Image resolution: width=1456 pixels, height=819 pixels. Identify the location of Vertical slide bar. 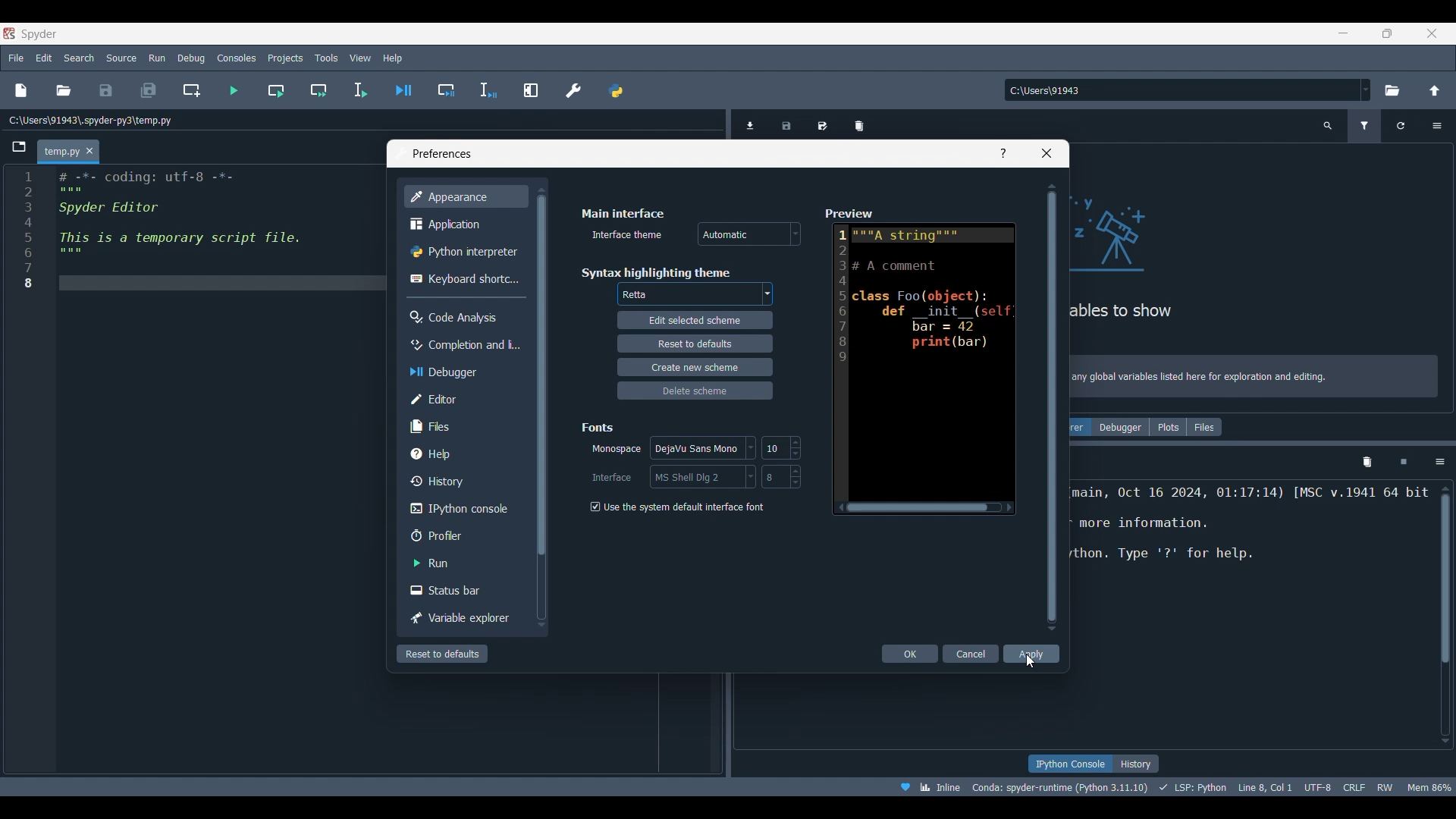
(1052, 406).